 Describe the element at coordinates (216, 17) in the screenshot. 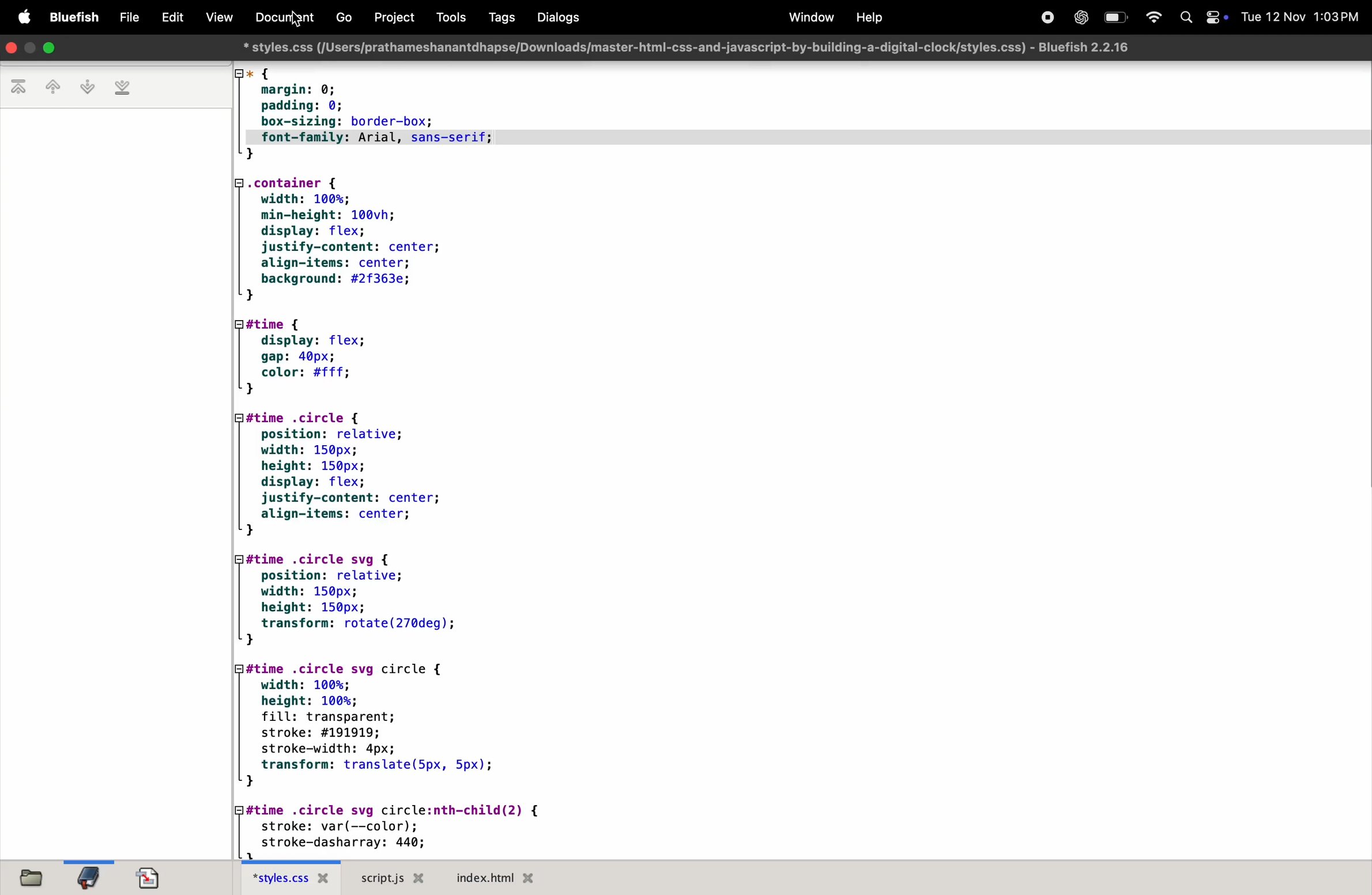

I see `View` at that location.